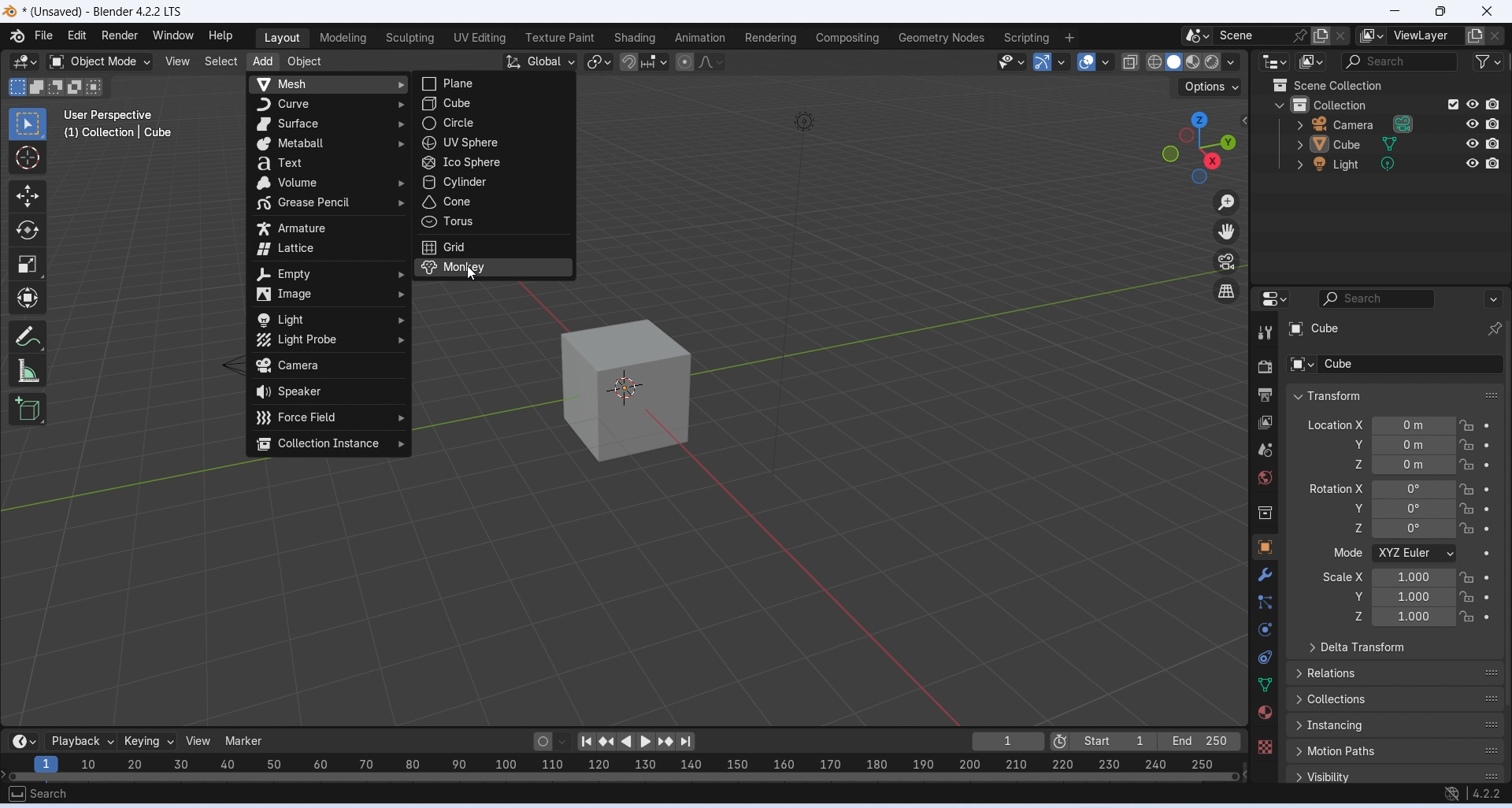 The width and height of the screenshot is (1512, 808). Describe the element at coordinates (328, 444) in the screenshot. I see `collection instance` at that location.